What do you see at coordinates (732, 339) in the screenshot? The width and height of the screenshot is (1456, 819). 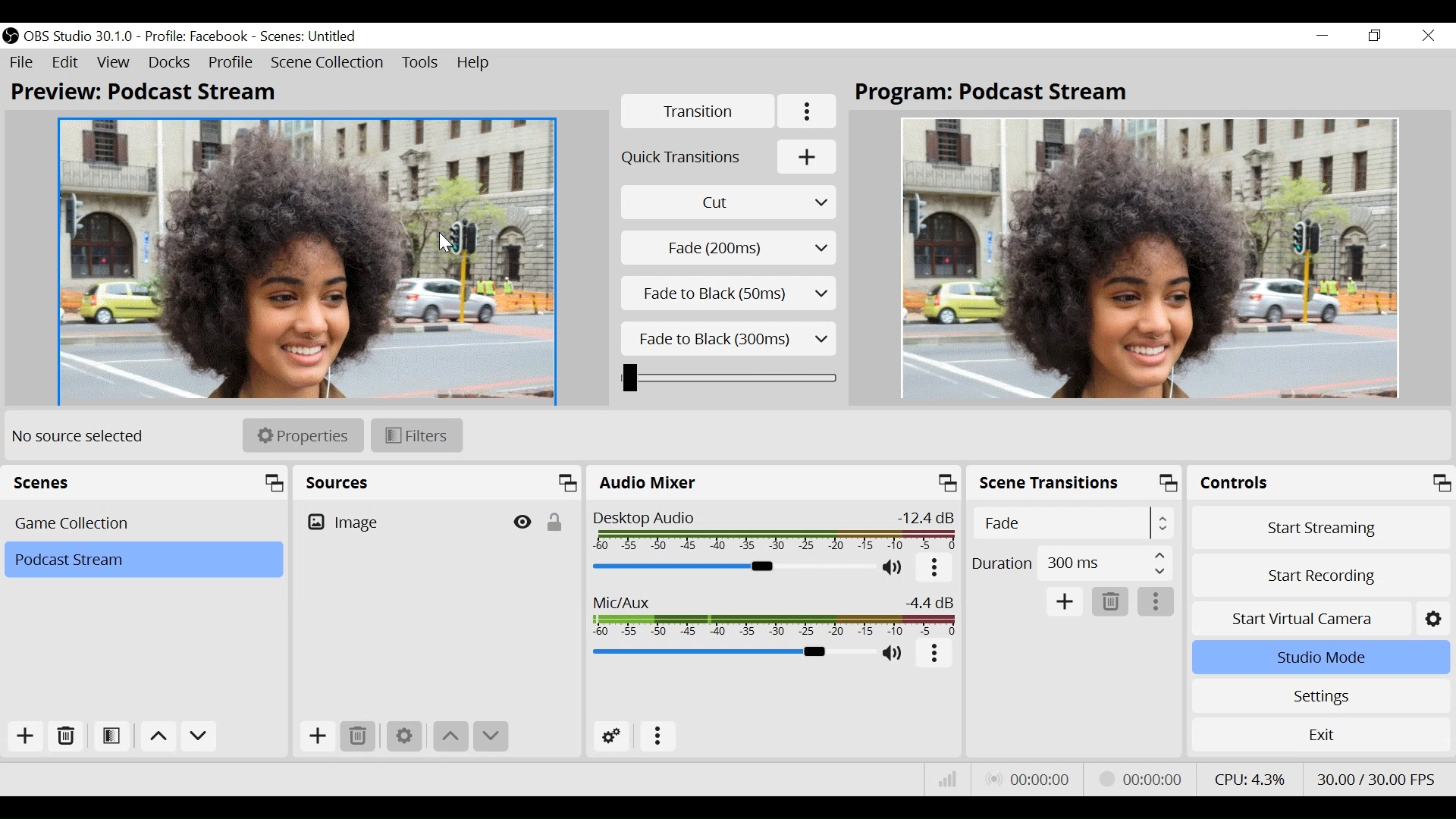 I see `Fade to Black` at bounding box center [732, 339].